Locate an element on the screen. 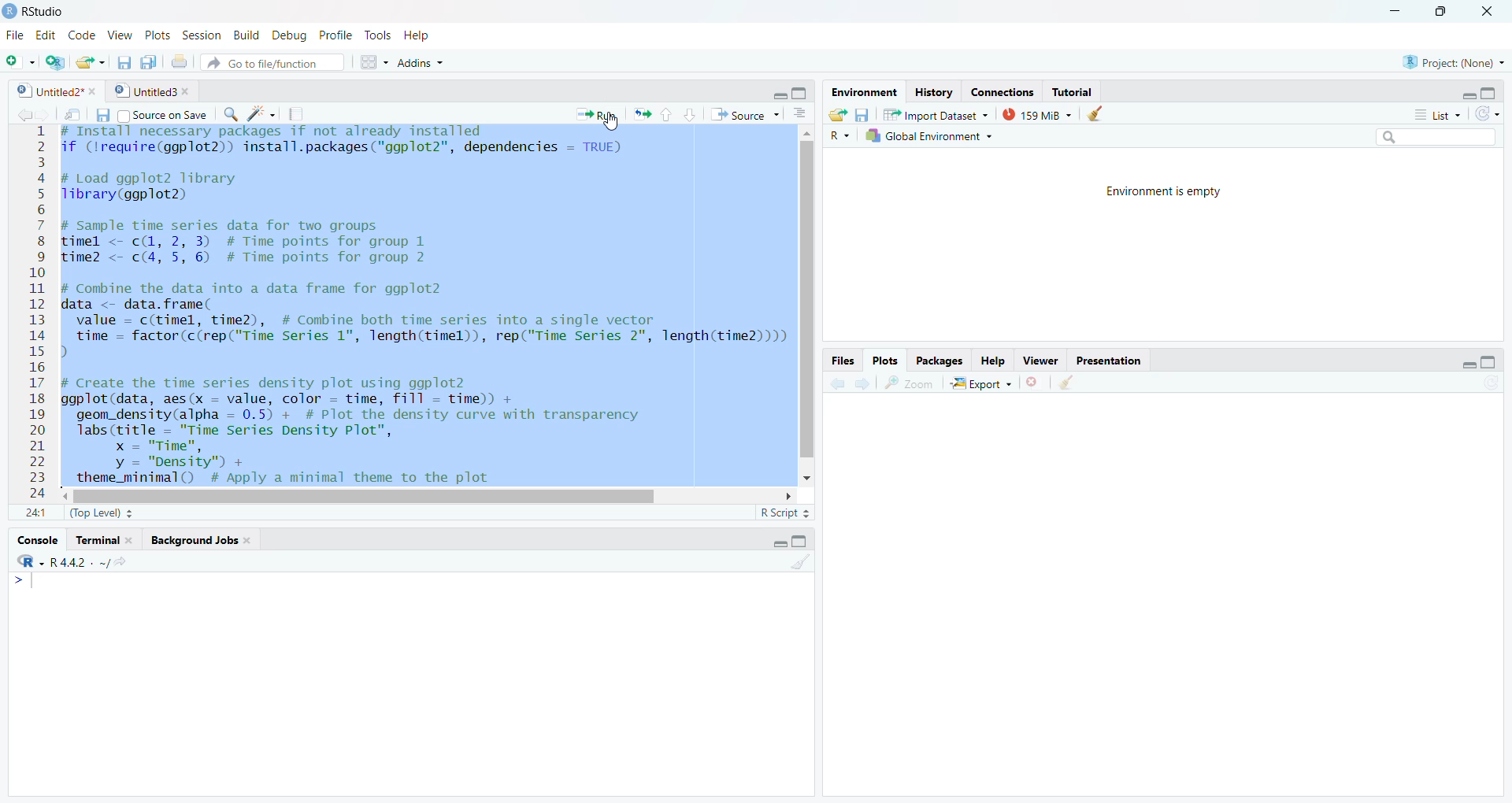 Image resolution: width=1512 pixels, height=803 pixels. Typing Indicator is located at coordinates (24, 582).